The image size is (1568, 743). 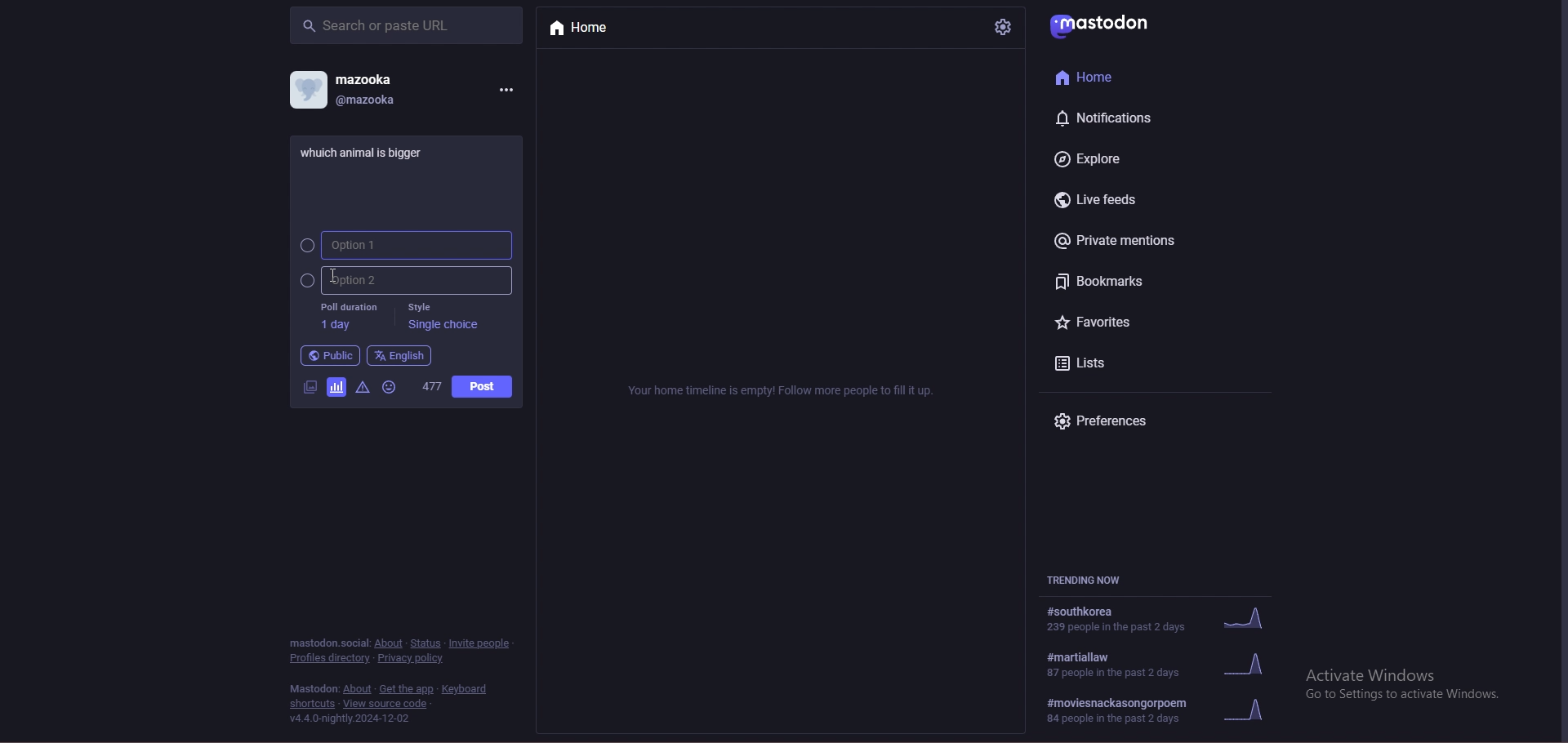 I want to click on poll duration, so click(x=348, y=316).